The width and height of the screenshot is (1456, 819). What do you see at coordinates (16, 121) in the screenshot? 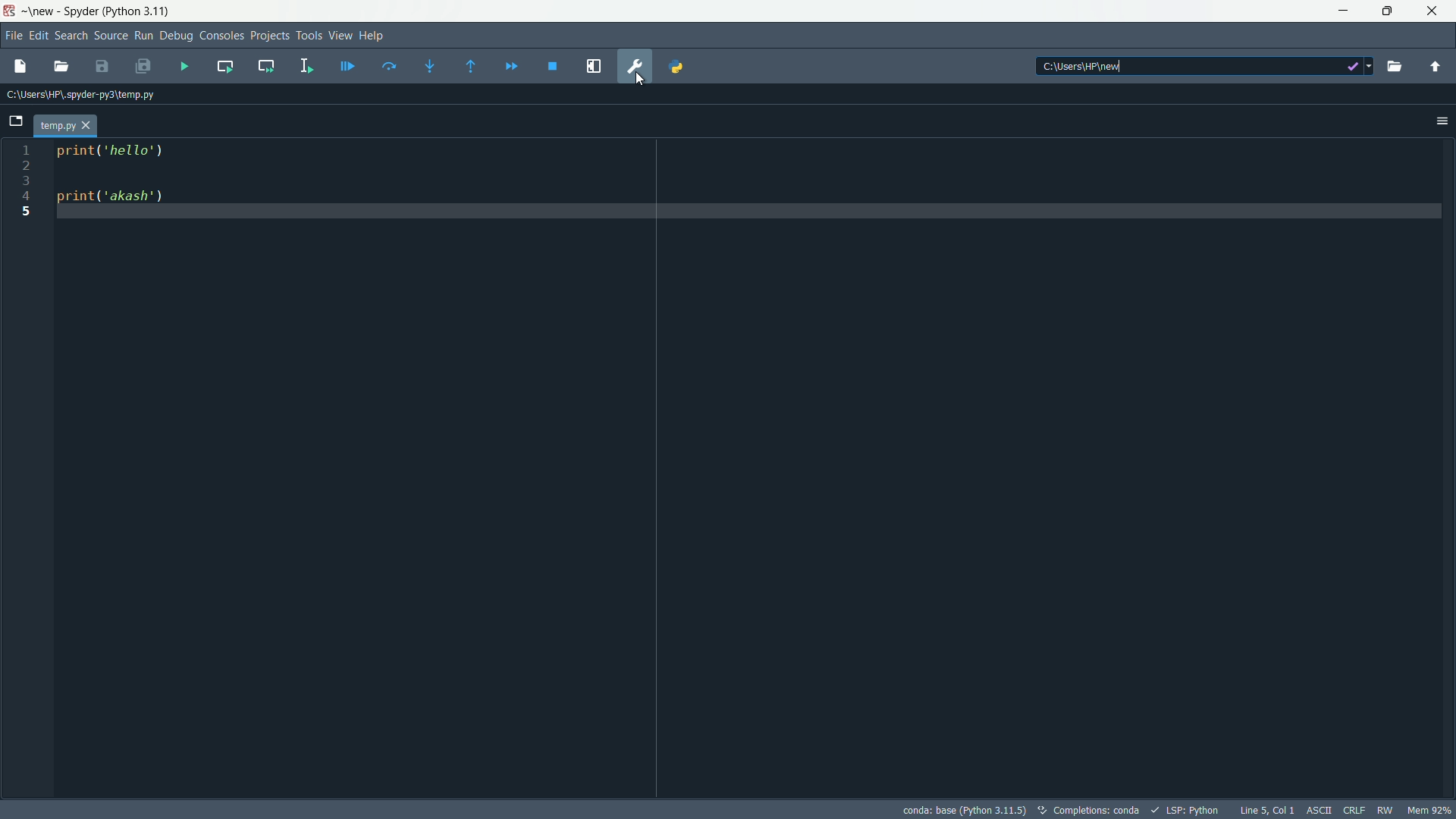
I see `browse tabs` at bounding box center [16, 121].